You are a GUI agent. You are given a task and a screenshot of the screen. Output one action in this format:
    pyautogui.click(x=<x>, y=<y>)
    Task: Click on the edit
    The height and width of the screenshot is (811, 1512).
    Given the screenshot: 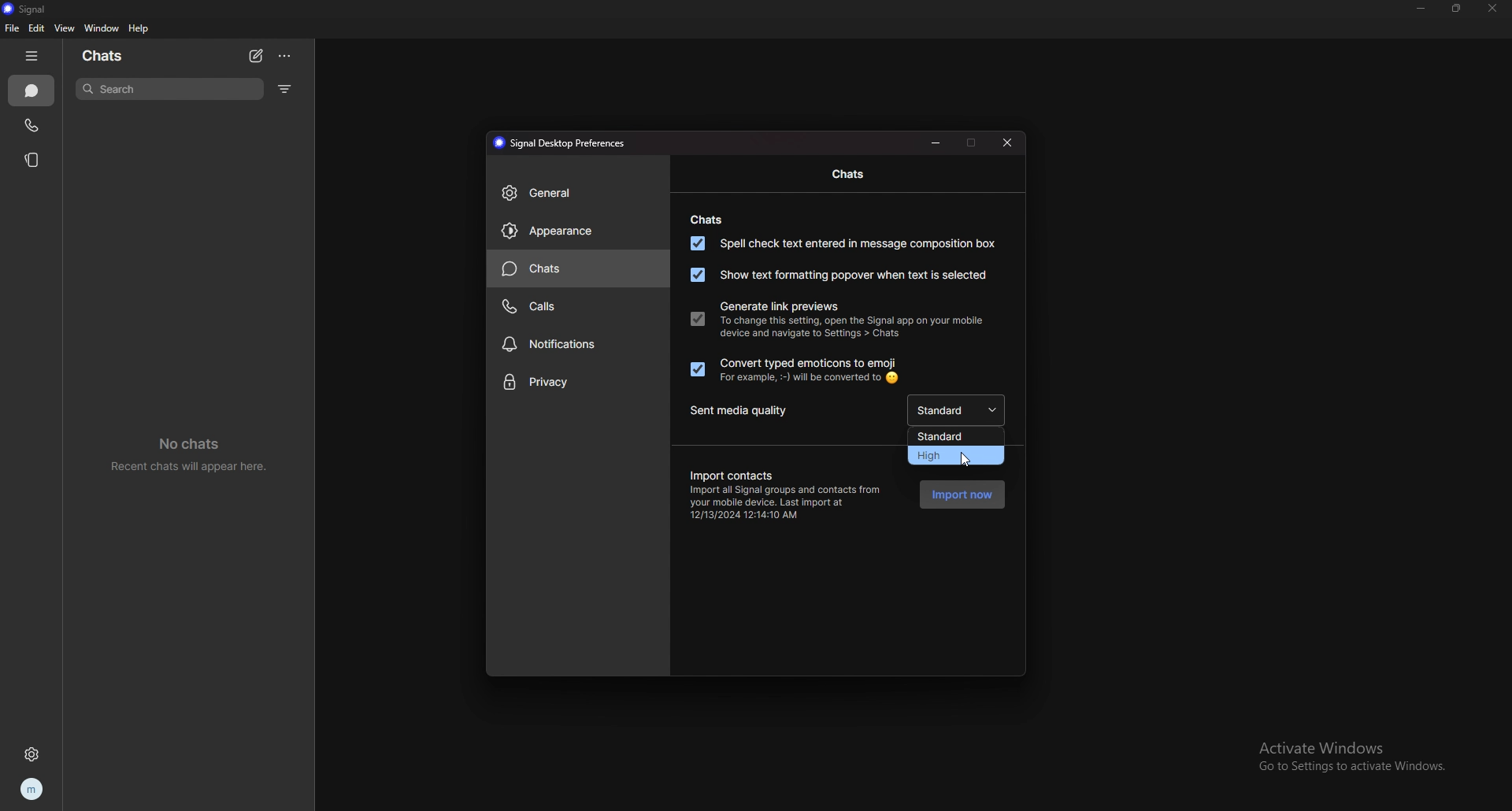 What is the action you would take?
    pyautogui.click(x=38, y=28)
    